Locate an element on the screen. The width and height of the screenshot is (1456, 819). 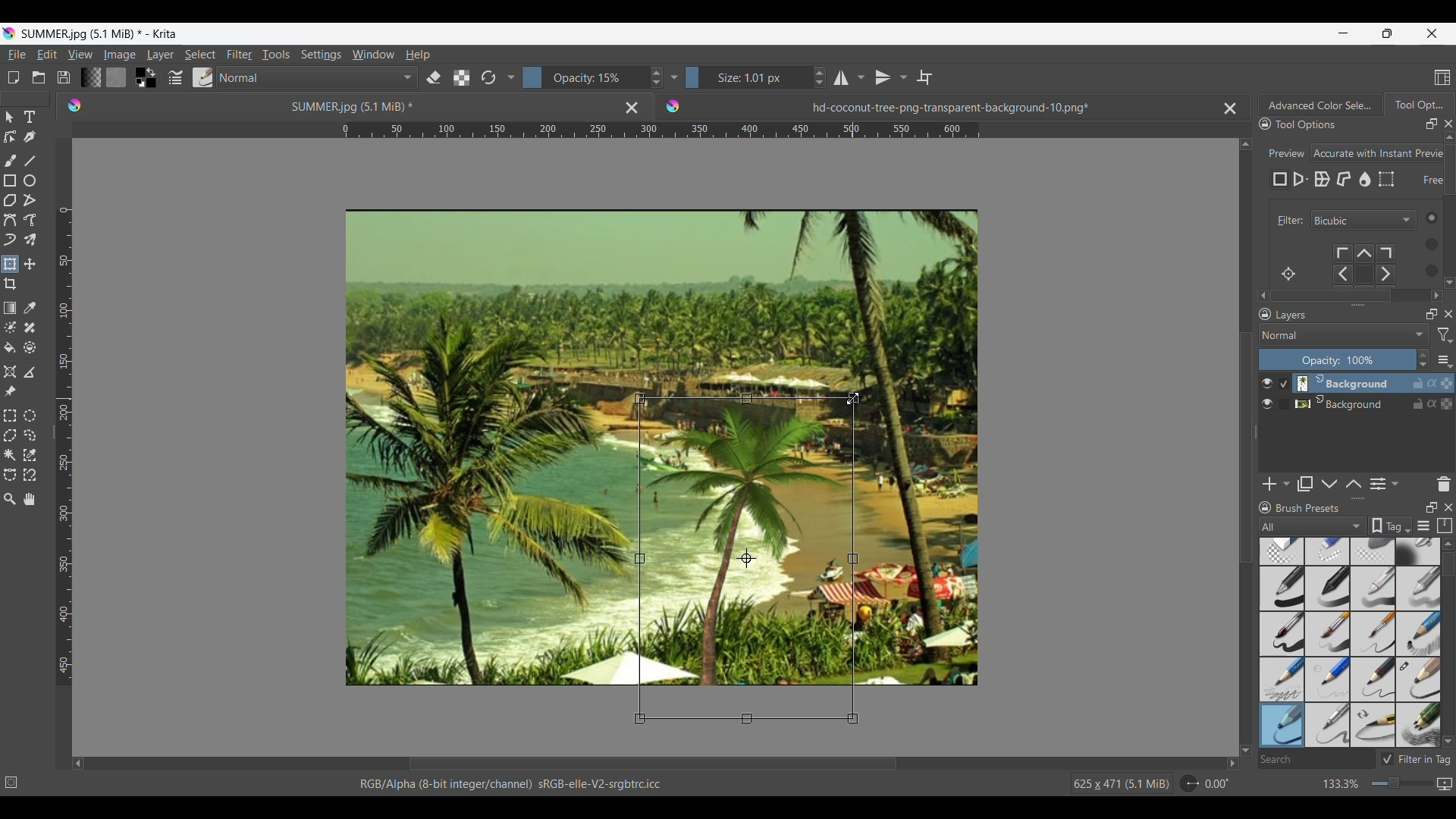
Choose workspace is located at coordinates (1442, 77).